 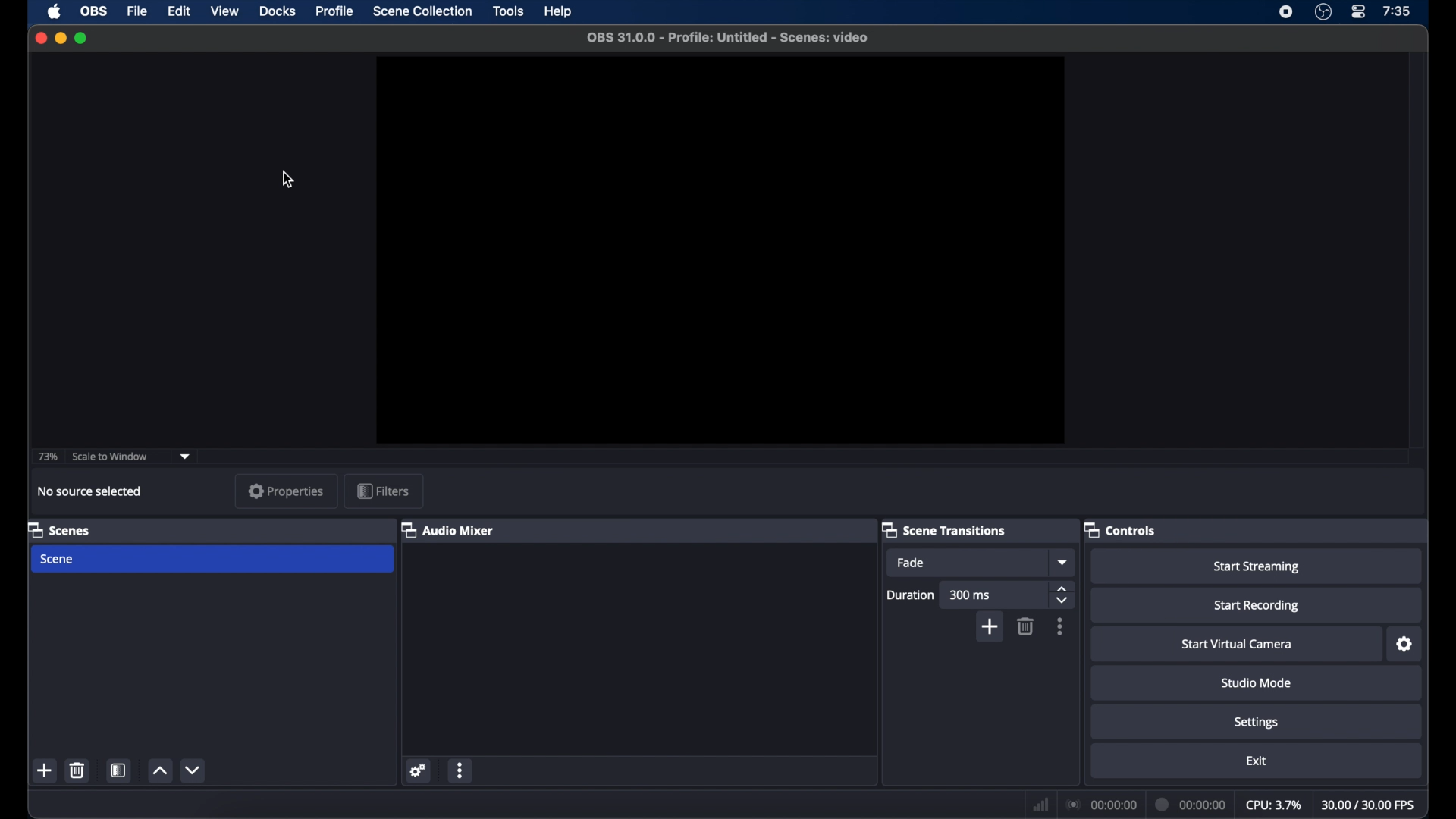 What do you see at coordinates (77, 770) in the screenshot?
I see `delete` at bounding box center [77, 770].